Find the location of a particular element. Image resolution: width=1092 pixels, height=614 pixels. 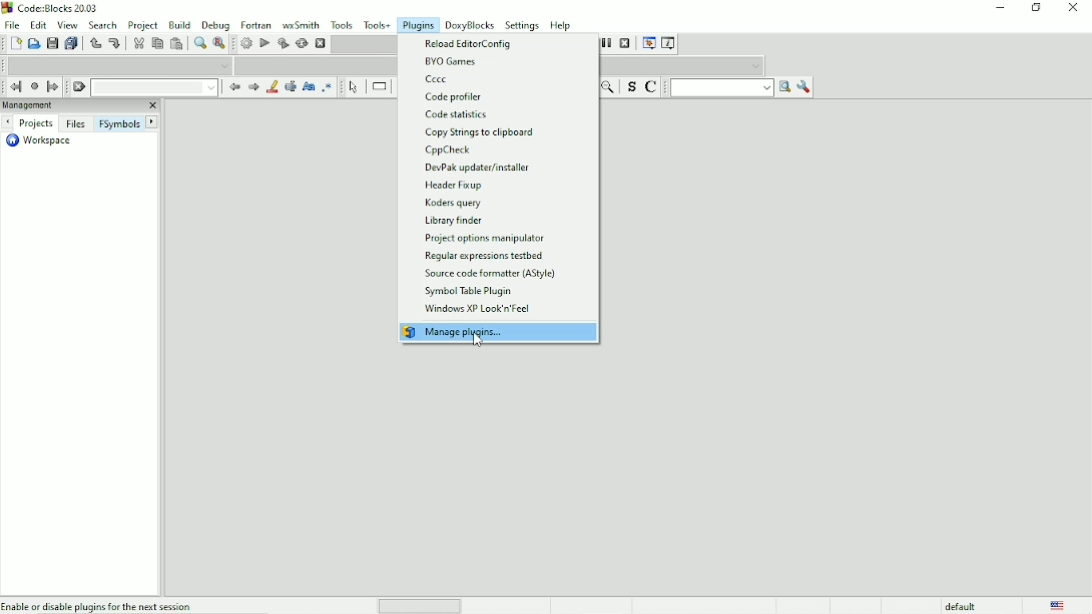

Source code formatter (AStyle) is located at coordinates (492, 272).